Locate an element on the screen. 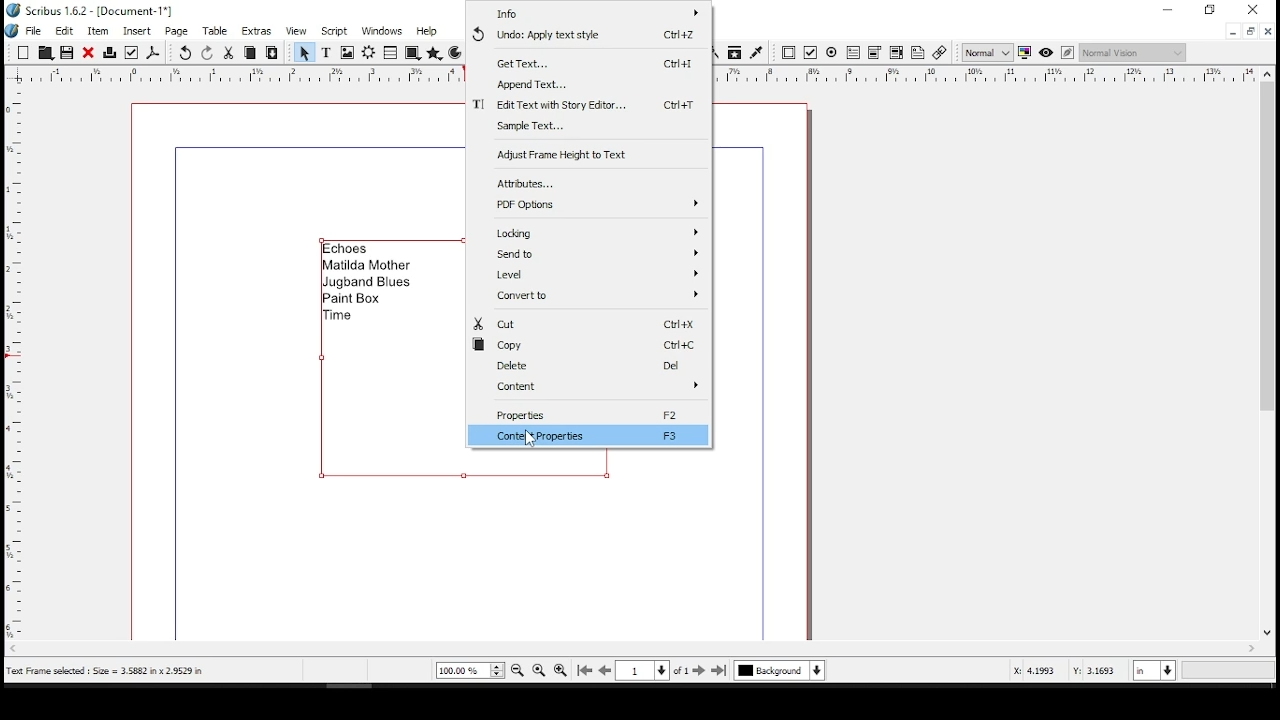 This screenshot has width=1280, height=720. Y: 3.1693 is located at coordinates (1095, 671).